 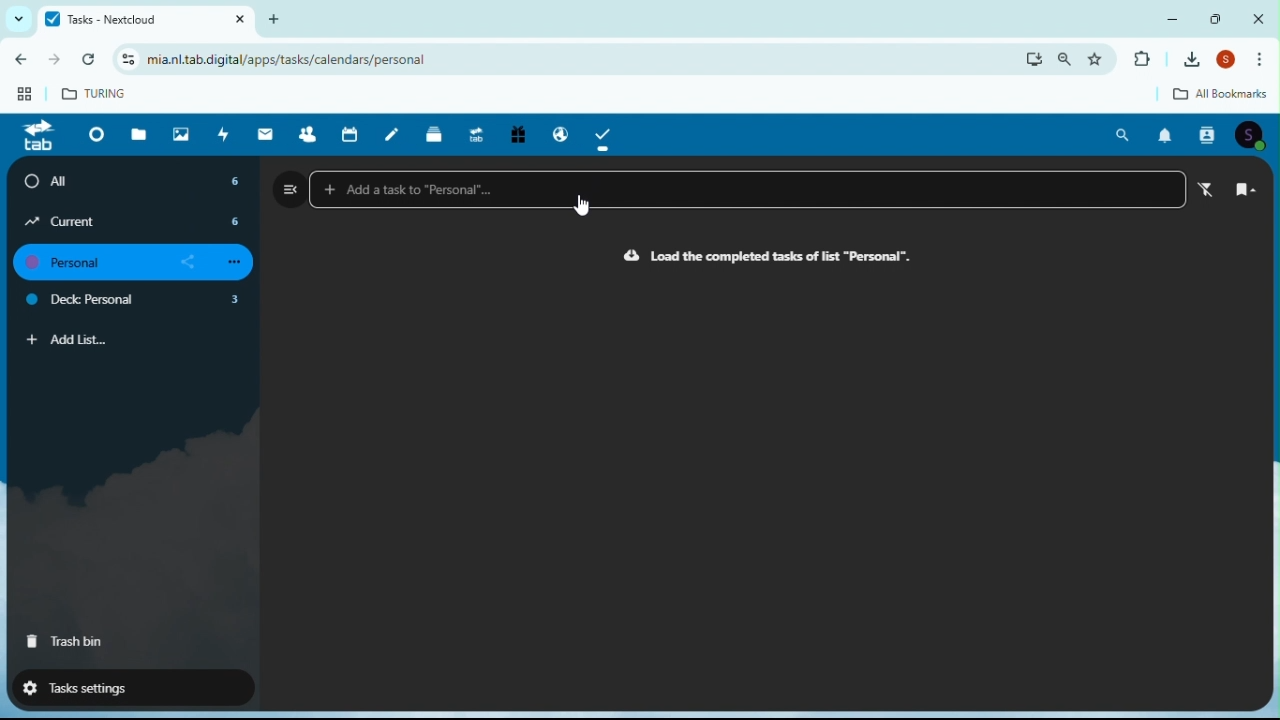 What do you see at coordinates (136, 181) in the screenshot?
I see `All` at bounding box center [136, 181].